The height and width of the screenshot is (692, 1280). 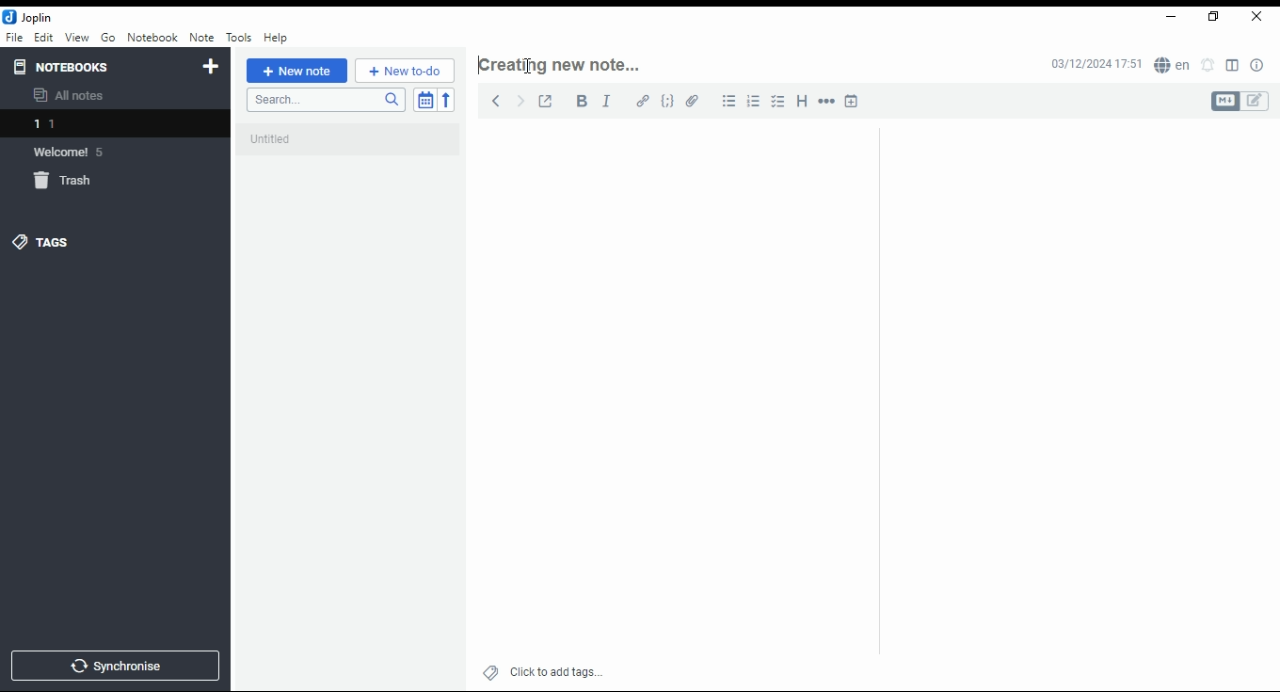 I want to click on code, so click(x=669, y=103).